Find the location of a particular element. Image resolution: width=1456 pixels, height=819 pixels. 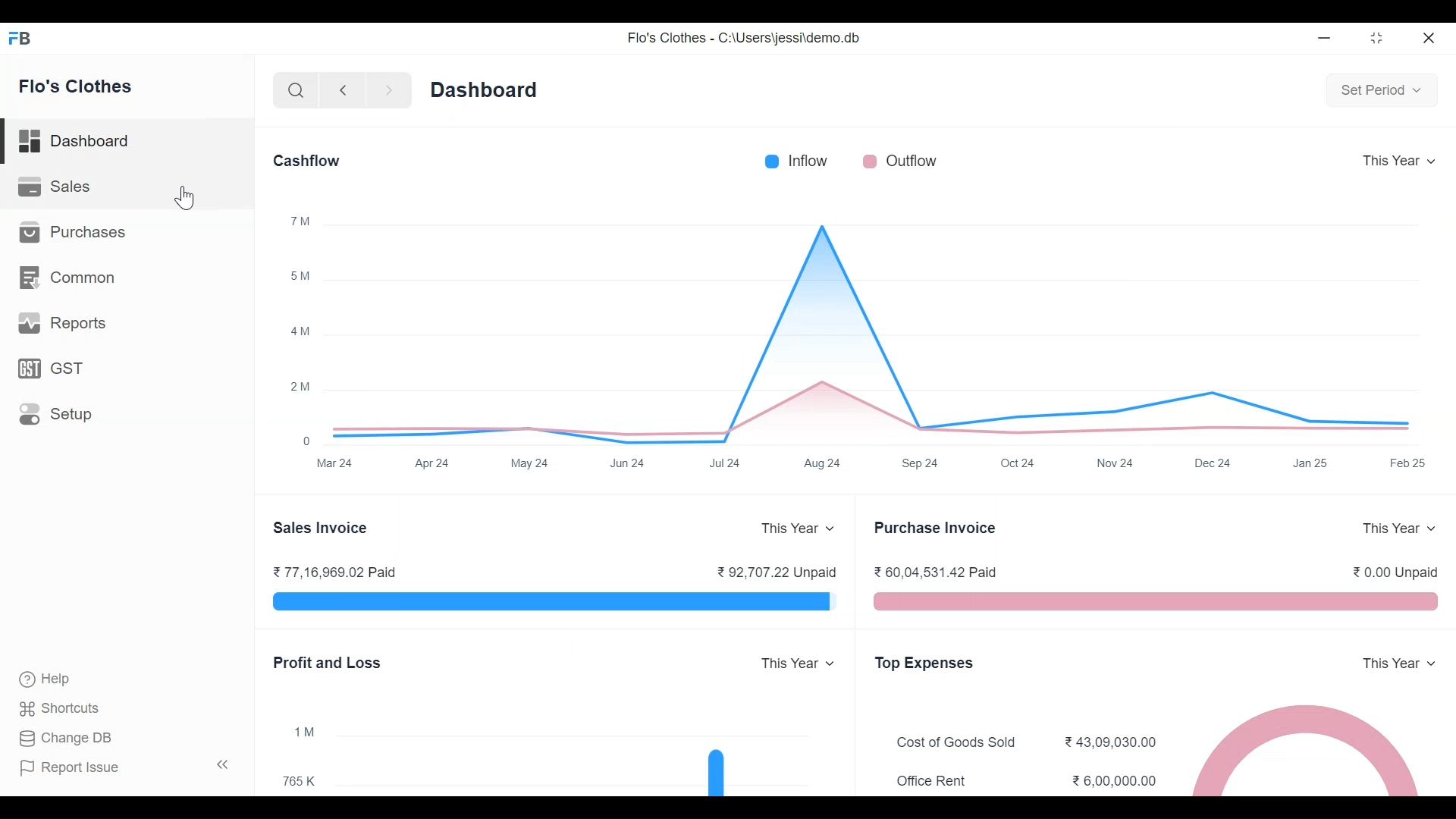

Purchase Invoice is located at coordinates (940, 529).